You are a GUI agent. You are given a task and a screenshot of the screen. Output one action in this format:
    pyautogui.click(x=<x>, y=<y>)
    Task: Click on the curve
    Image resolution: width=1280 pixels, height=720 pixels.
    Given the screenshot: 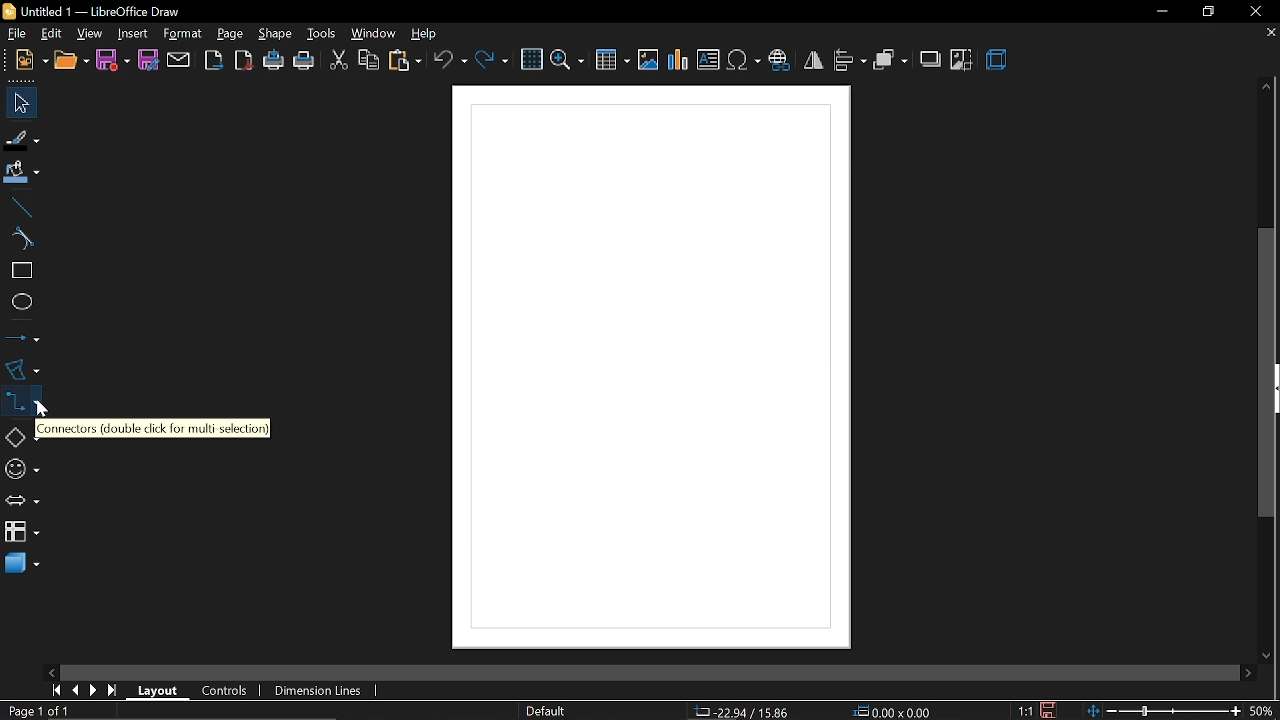 What is the action you would take?
    pyautogui.click(x=20, y=239)
    